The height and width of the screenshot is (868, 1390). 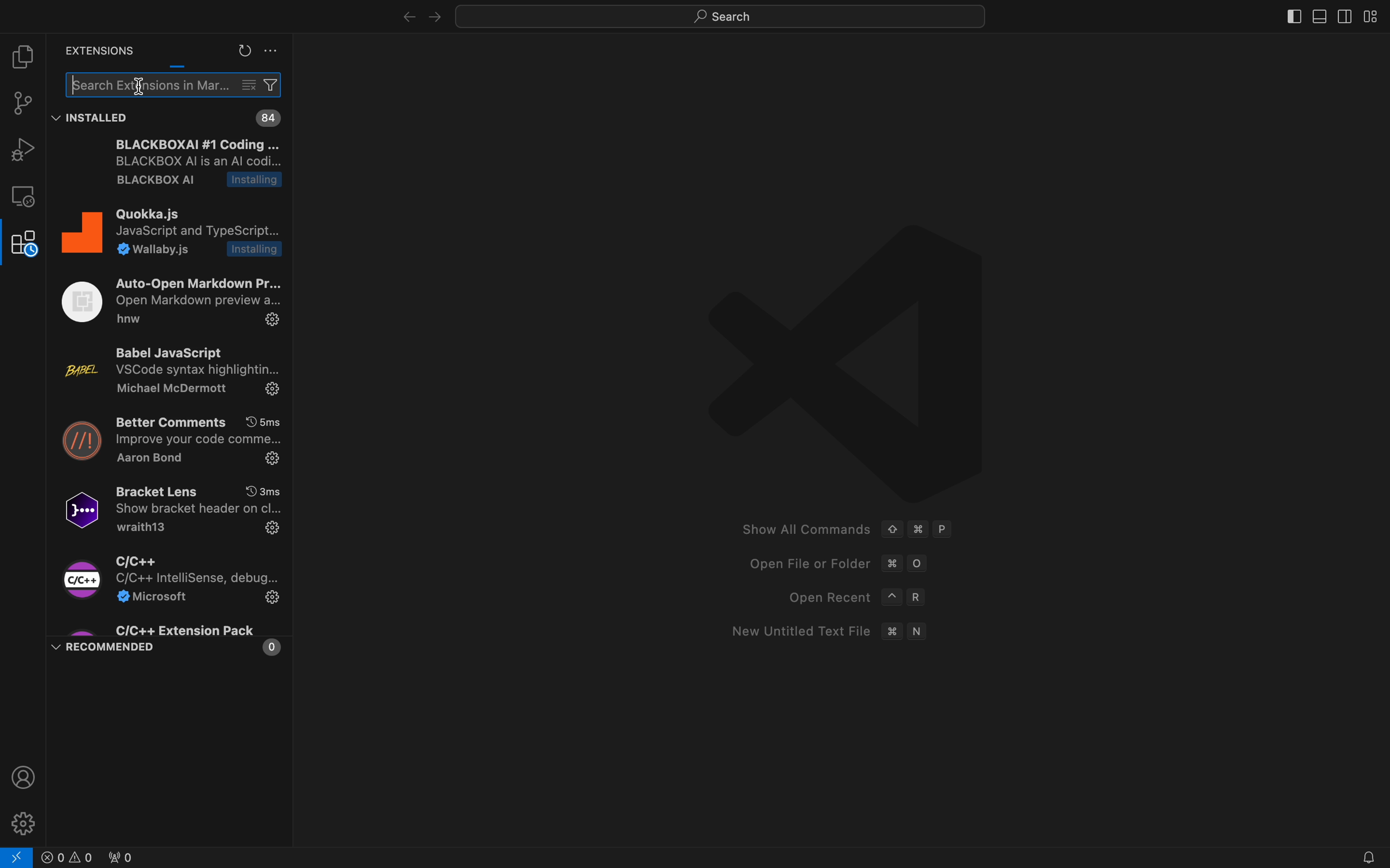 What do you see at coordinates (418, 17) in the screenshot?
I see `arrows` at bounding box center [418, 17].